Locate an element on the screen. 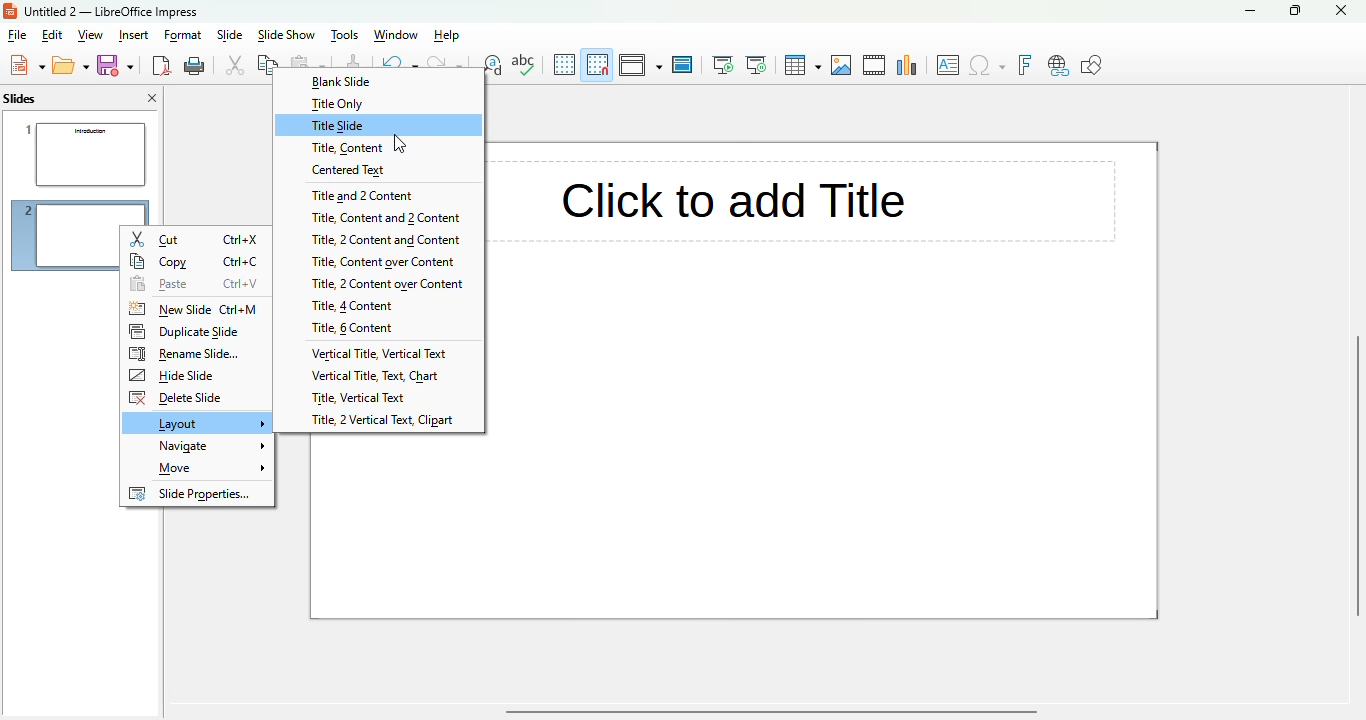 The image size is (1366, 720). horizontal scroll bar is located at coordinates (771, 712).